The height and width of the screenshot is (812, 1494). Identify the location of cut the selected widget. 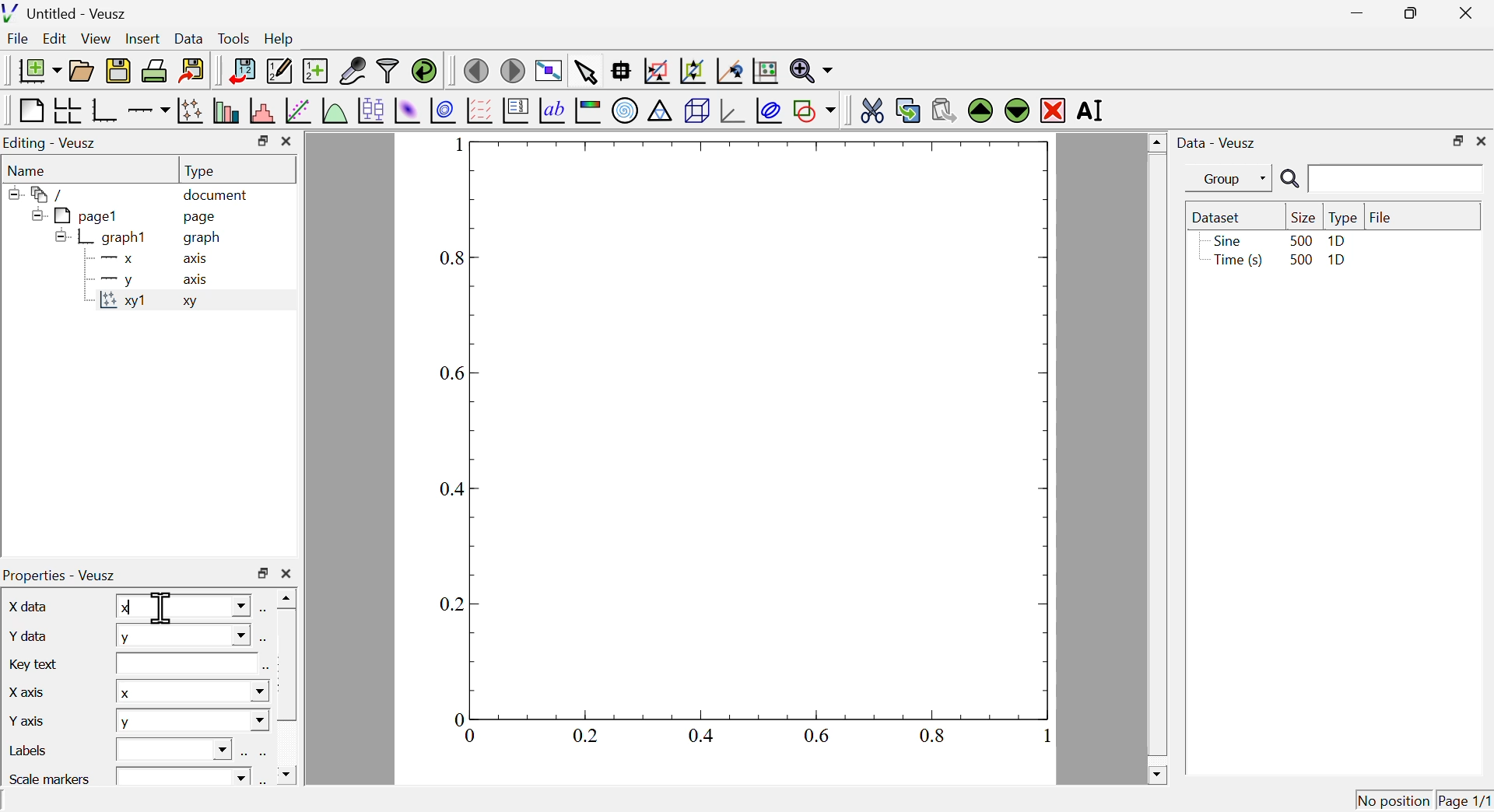
(869, 109).